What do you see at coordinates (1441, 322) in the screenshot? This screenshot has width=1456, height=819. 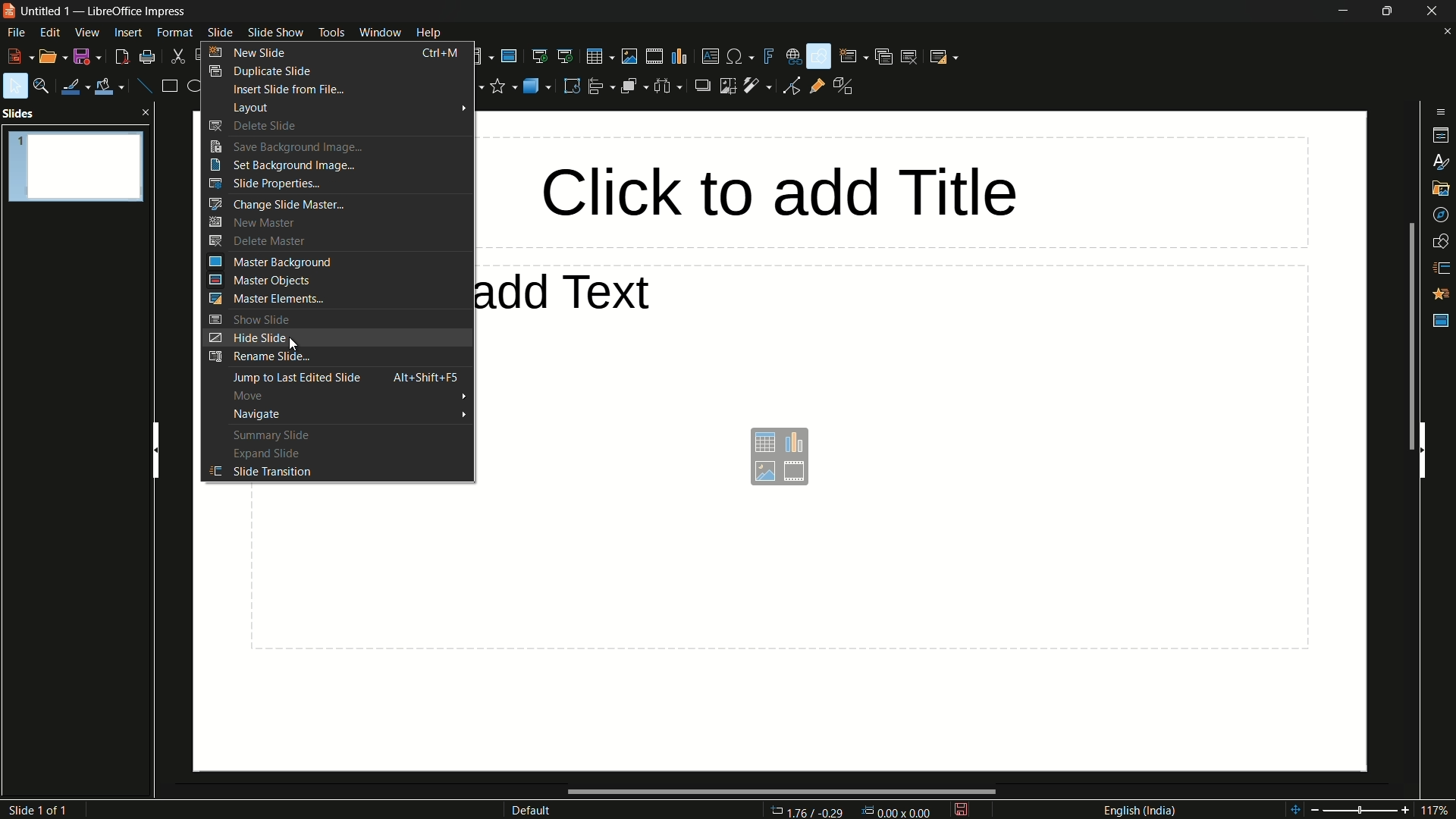 I see `master slides` at bounding box center [1441, 322].